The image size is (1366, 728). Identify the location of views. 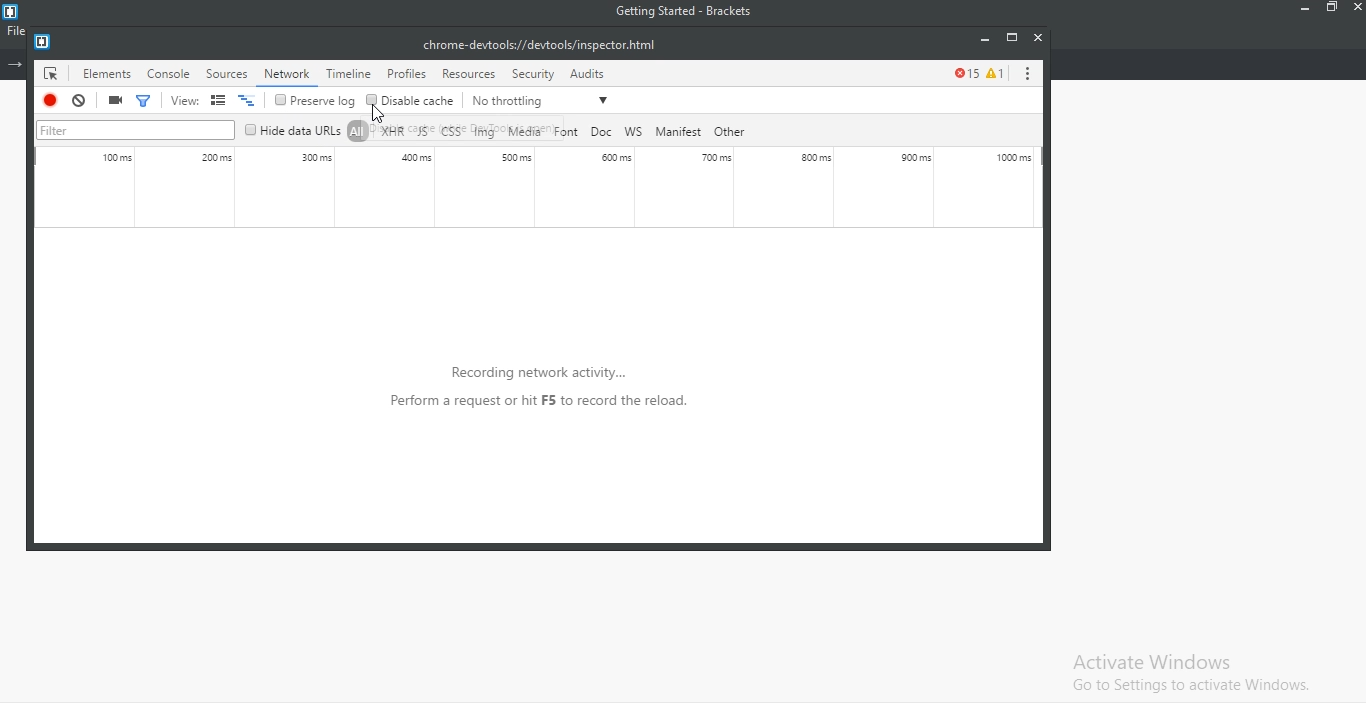
(213, 101).